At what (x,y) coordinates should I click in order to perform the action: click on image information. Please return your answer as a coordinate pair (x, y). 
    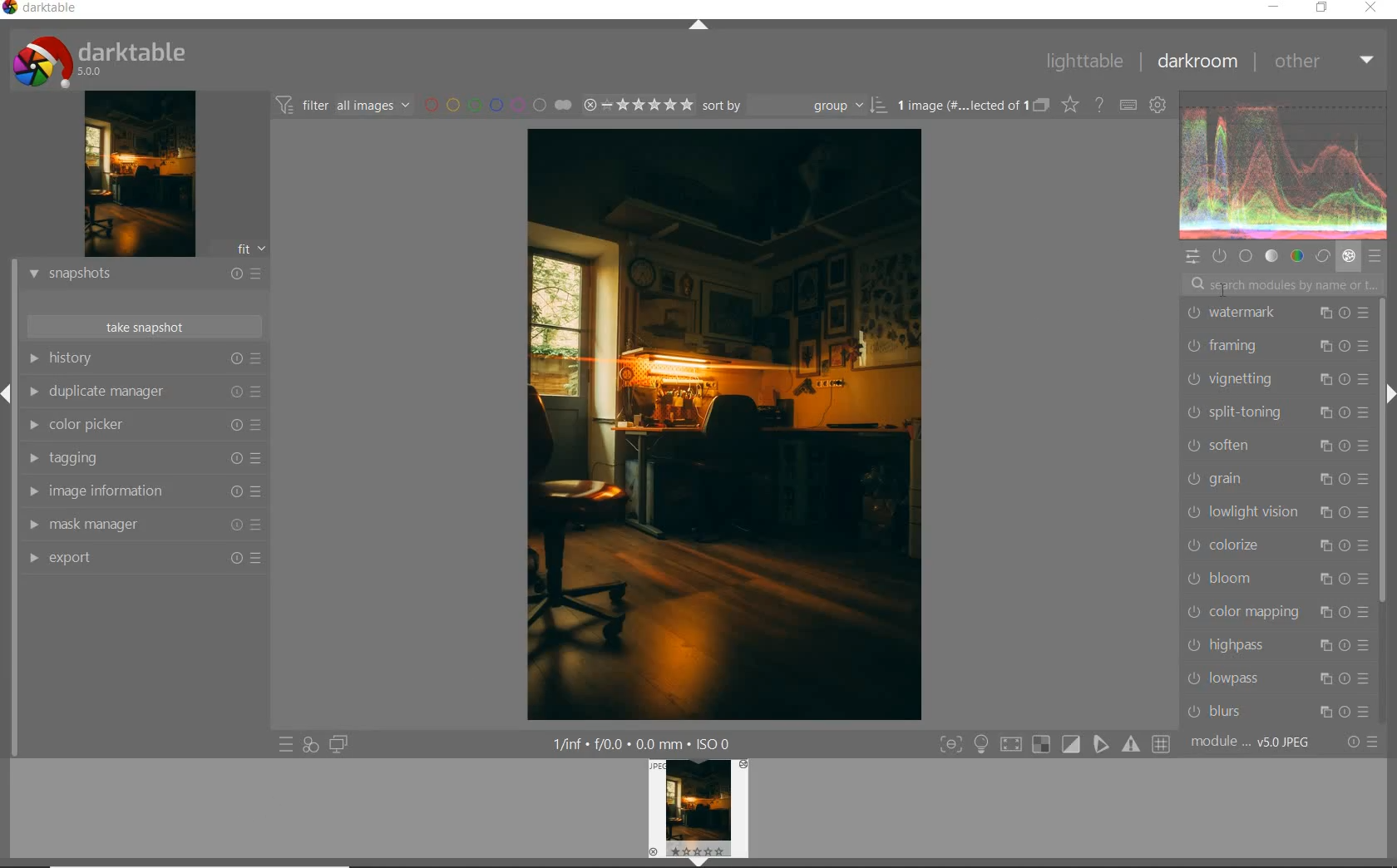
    Looking at the image, I should click on (142, 491).